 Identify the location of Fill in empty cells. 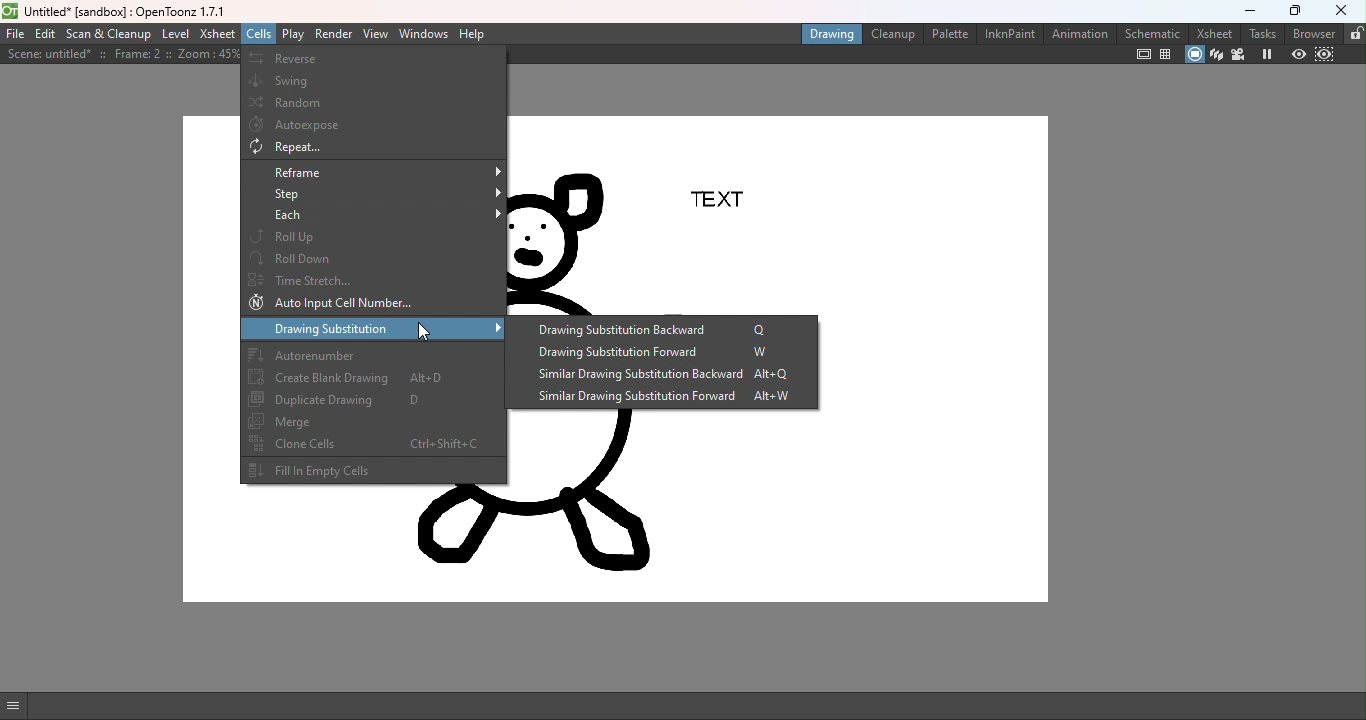
(374, 474).